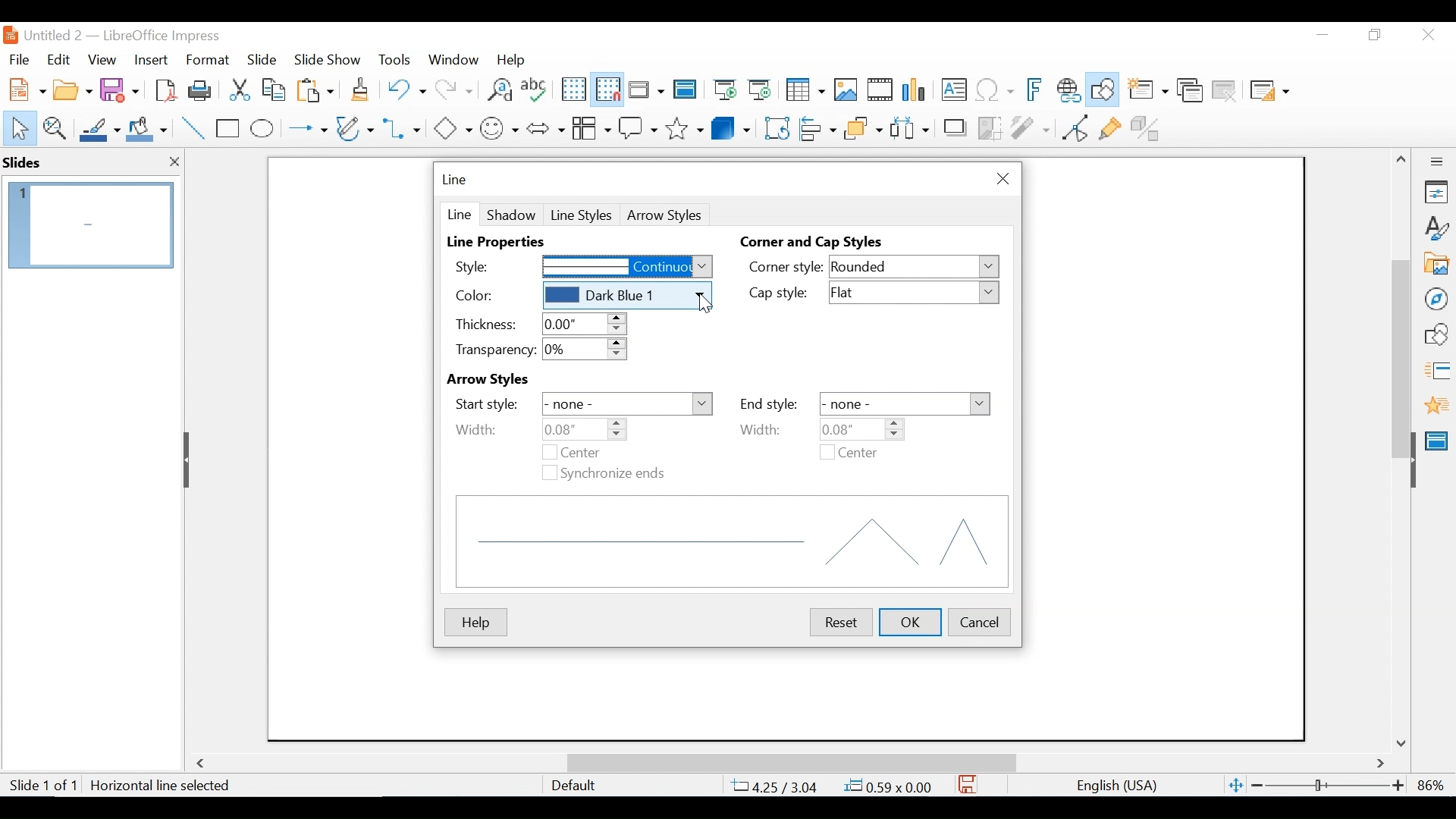 The height and width of the screenshot is (819, 1456). Describe the element at coordinates (488, 265) in the screenshot. I see `Style` at that location.